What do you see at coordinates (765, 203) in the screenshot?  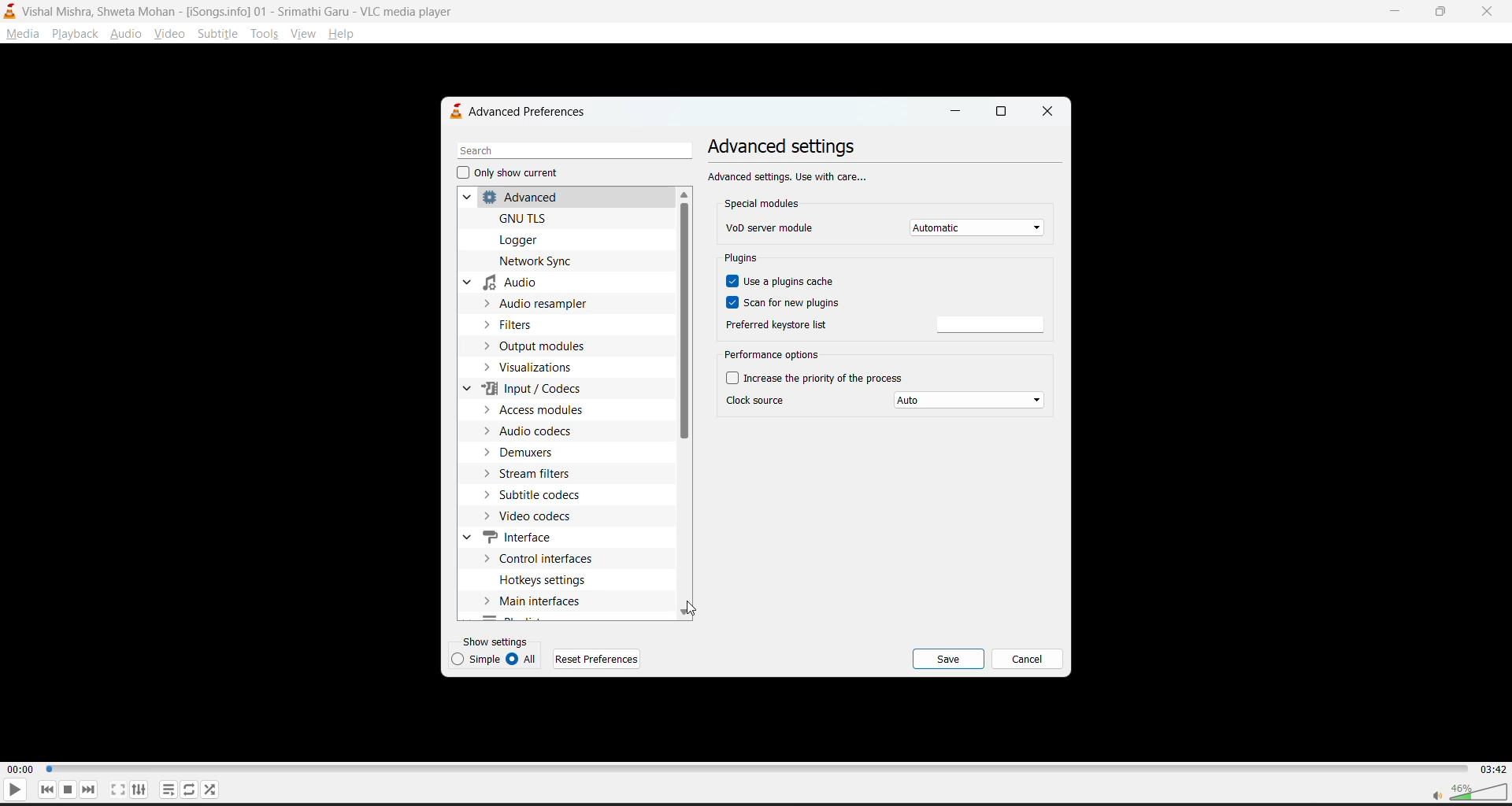 I see `special modules` at bounding box center [765, 203].